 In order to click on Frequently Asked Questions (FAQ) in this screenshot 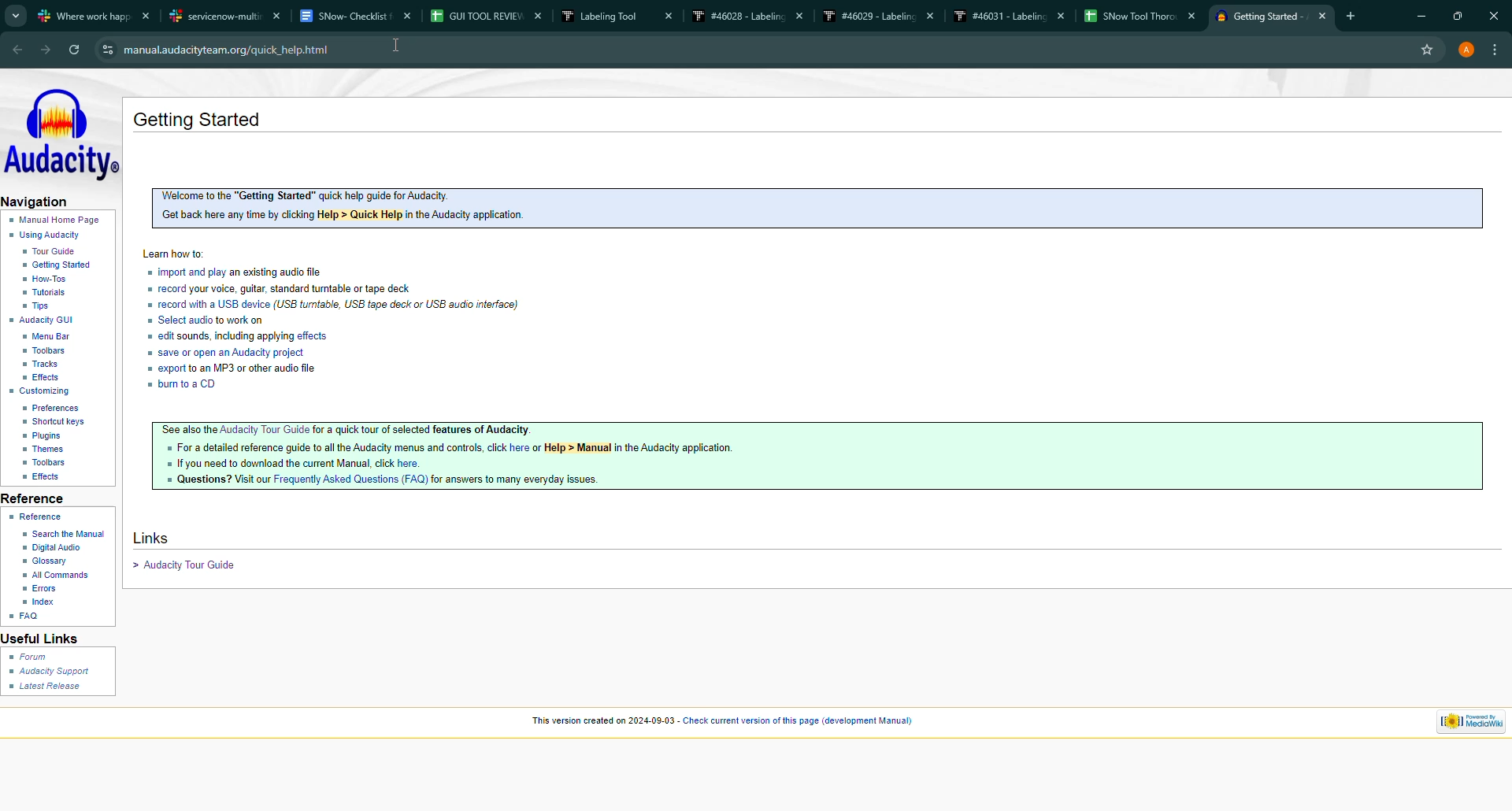, I will do `click(350, 479)`.